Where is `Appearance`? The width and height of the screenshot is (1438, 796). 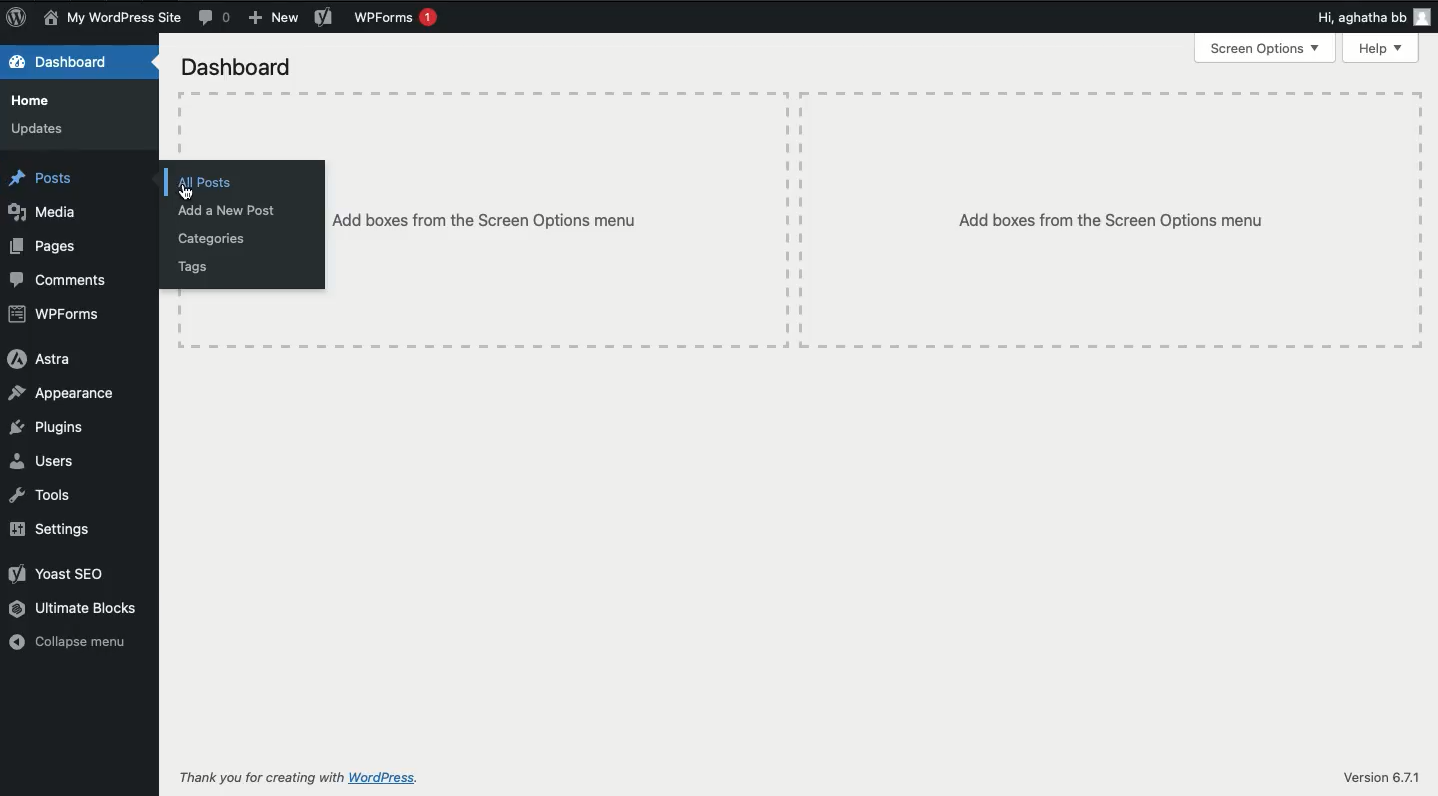
Appearance is located at coordinates (64, 396).